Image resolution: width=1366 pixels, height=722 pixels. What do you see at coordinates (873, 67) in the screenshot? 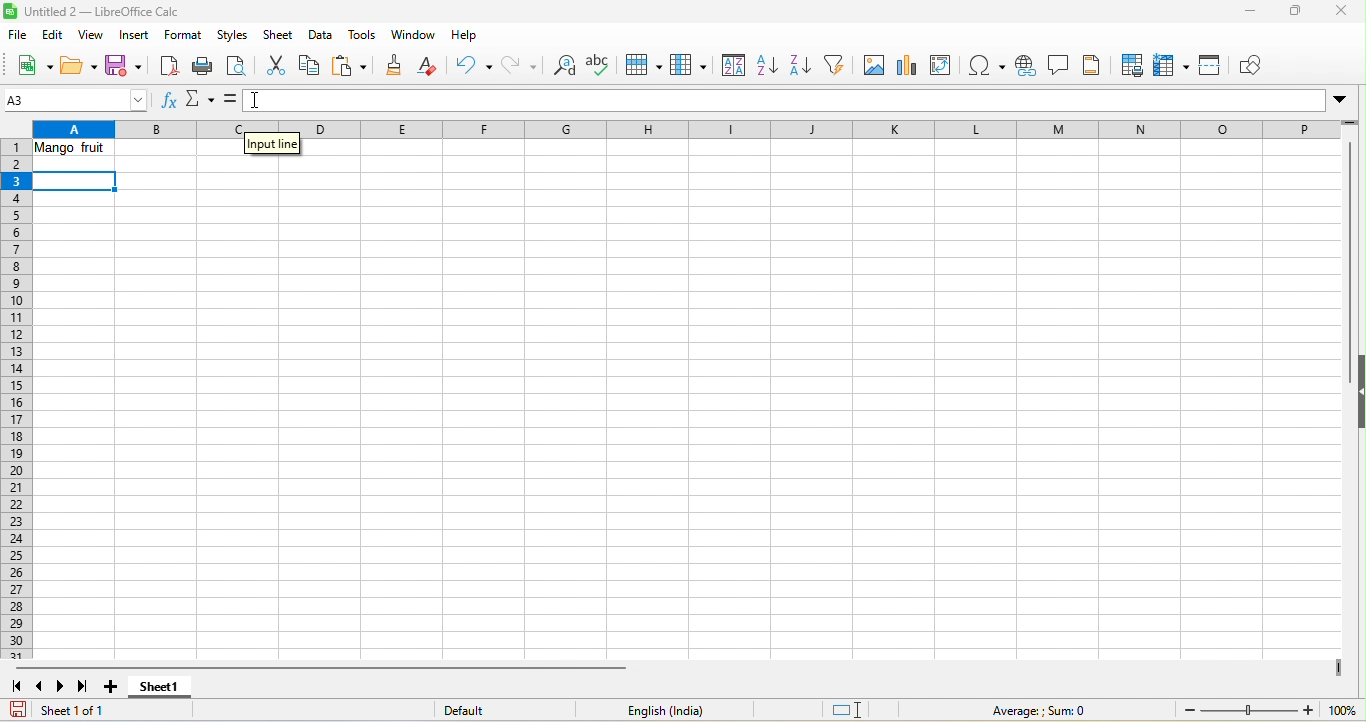
I see `image` at bounding box center [873, 67].